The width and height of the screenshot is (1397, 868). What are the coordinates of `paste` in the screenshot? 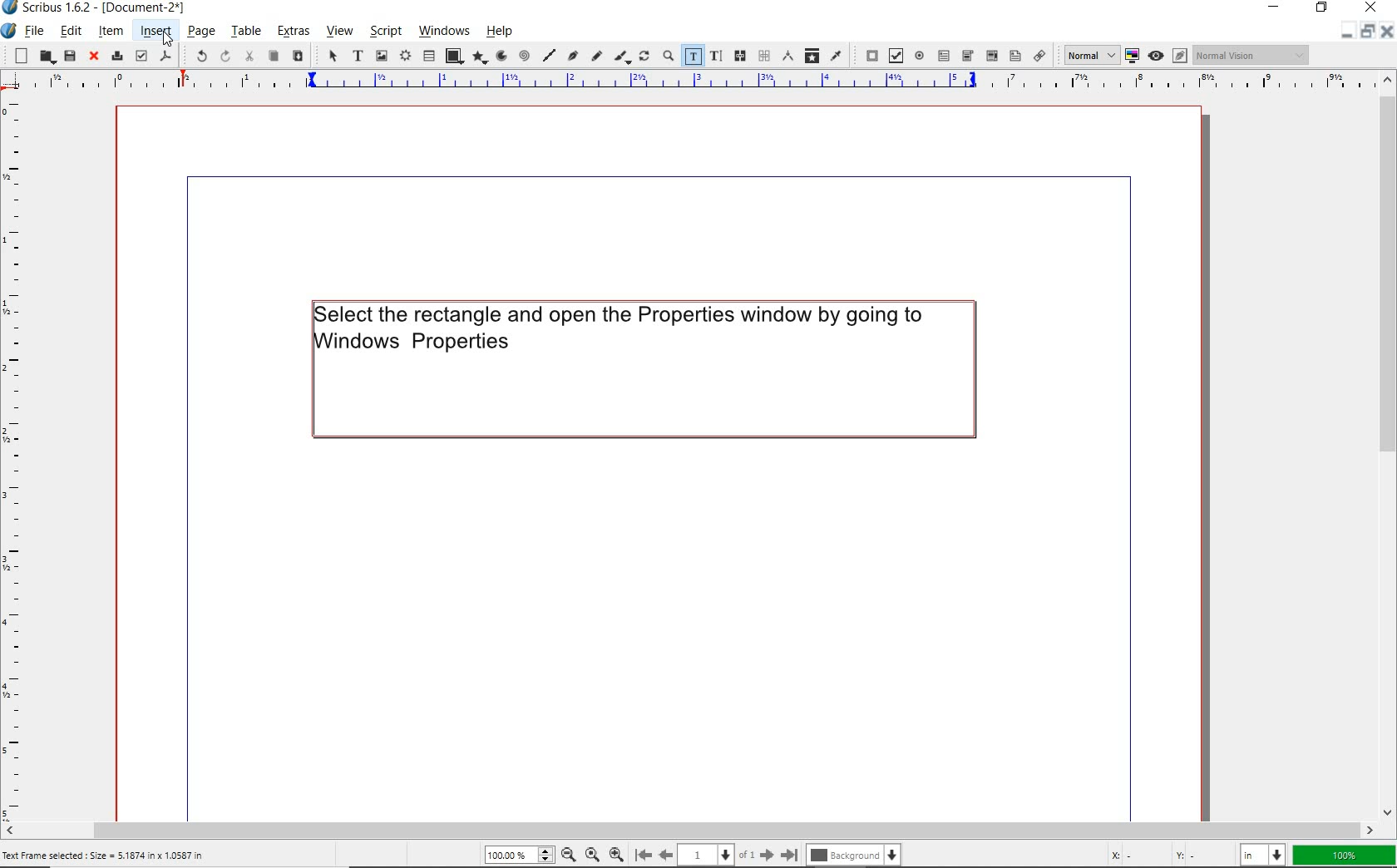 It's located at (299, 57).